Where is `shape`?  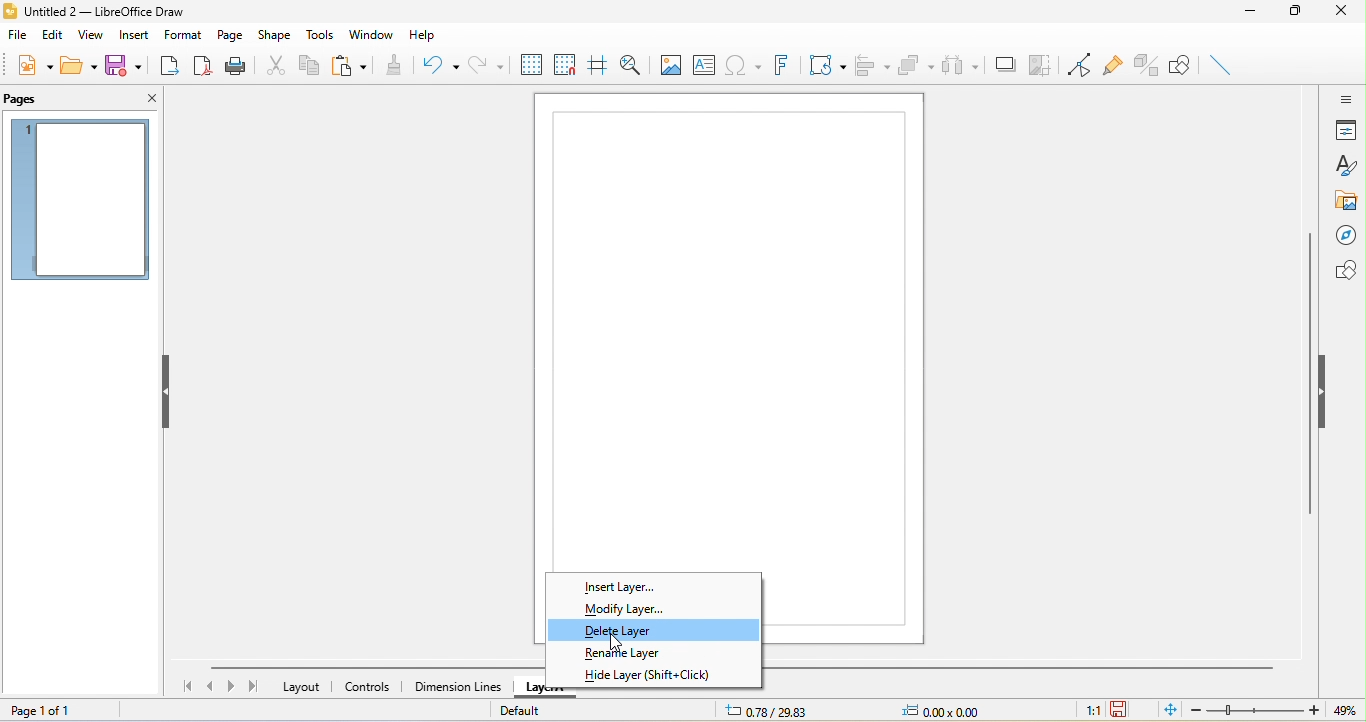
shape is located at coordinates (274, 33).